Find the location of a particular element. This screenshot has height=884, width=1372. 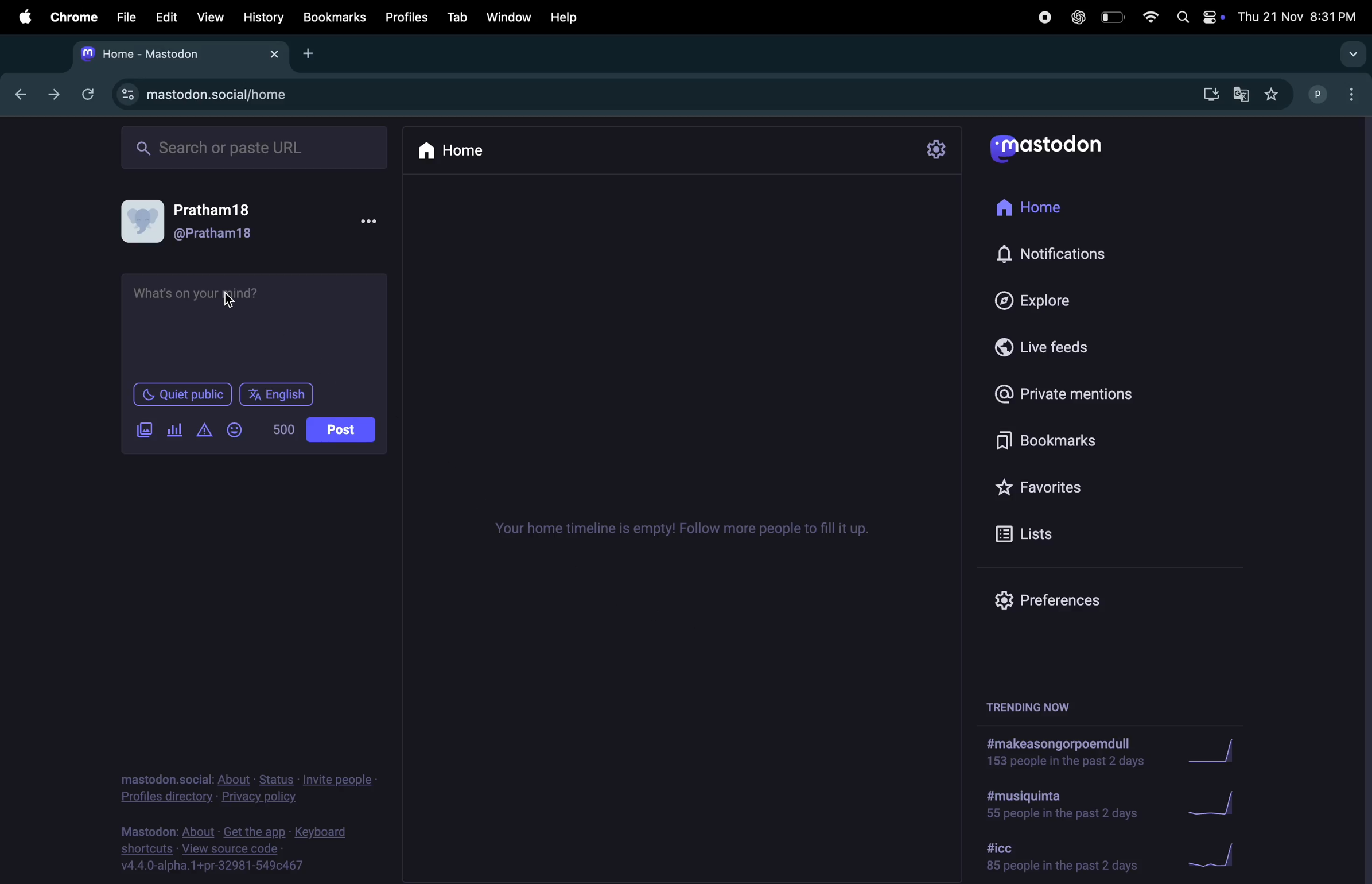

downloads is located at coordinates (1206, 95).